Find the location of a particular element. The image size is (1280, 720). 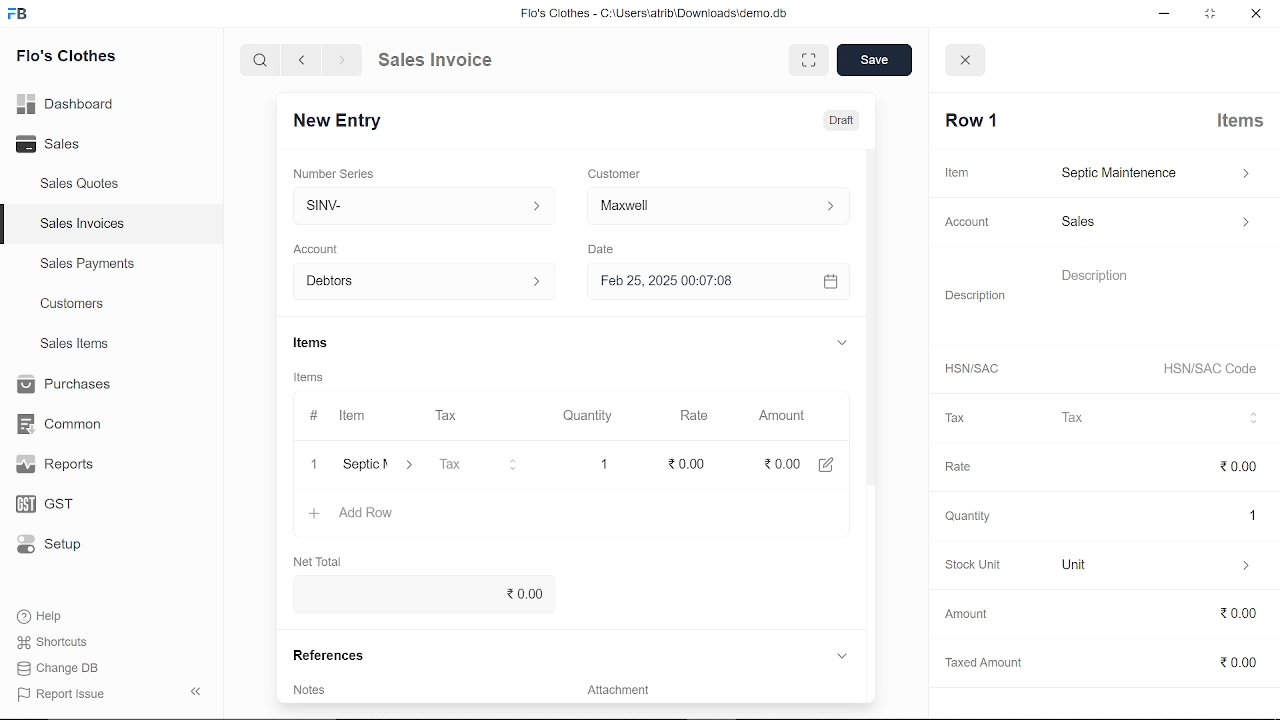

Insert number series is located at coordinates (415, 202).